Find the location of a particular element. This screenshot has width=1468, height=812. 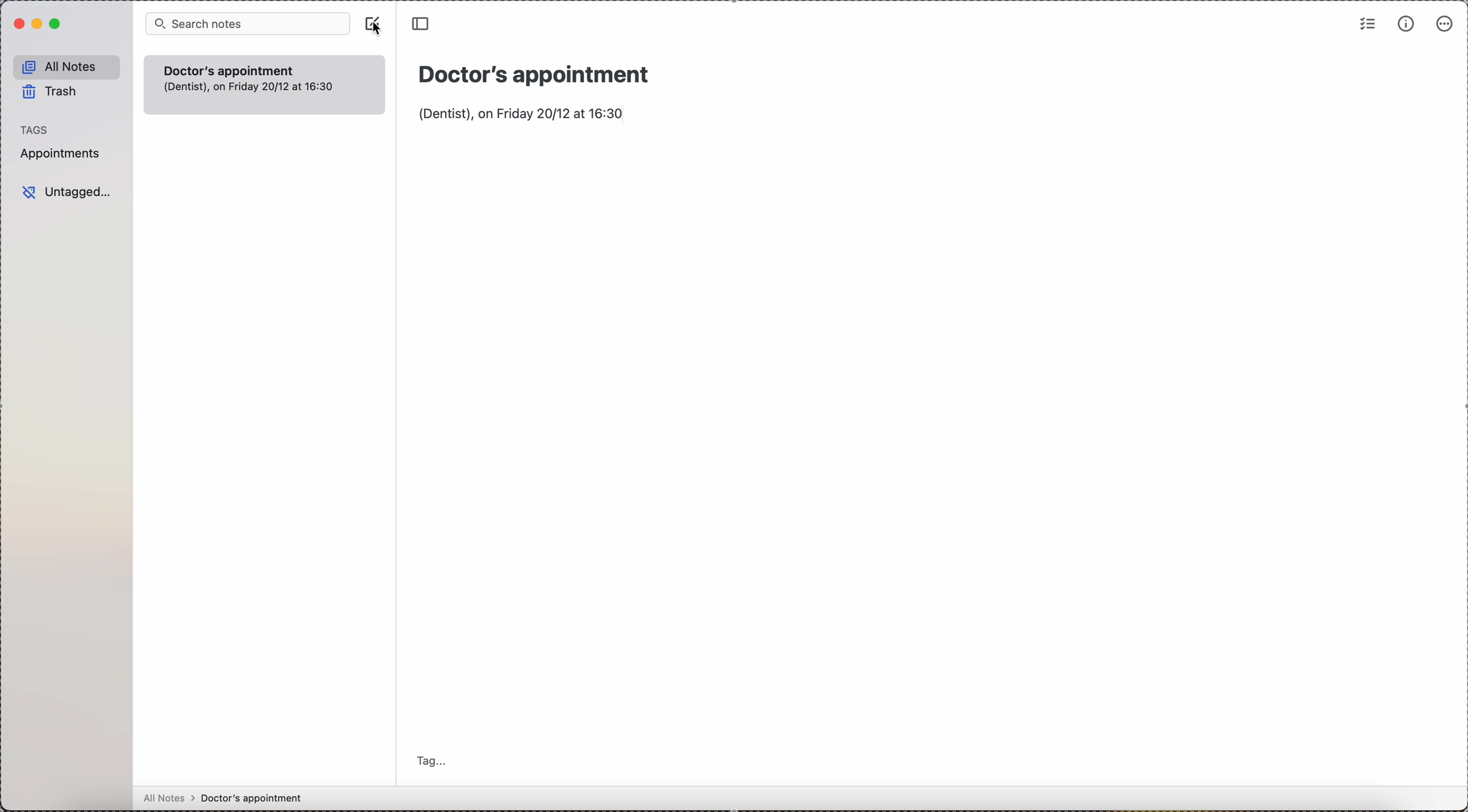

tags is located at coordinates (34, 128).